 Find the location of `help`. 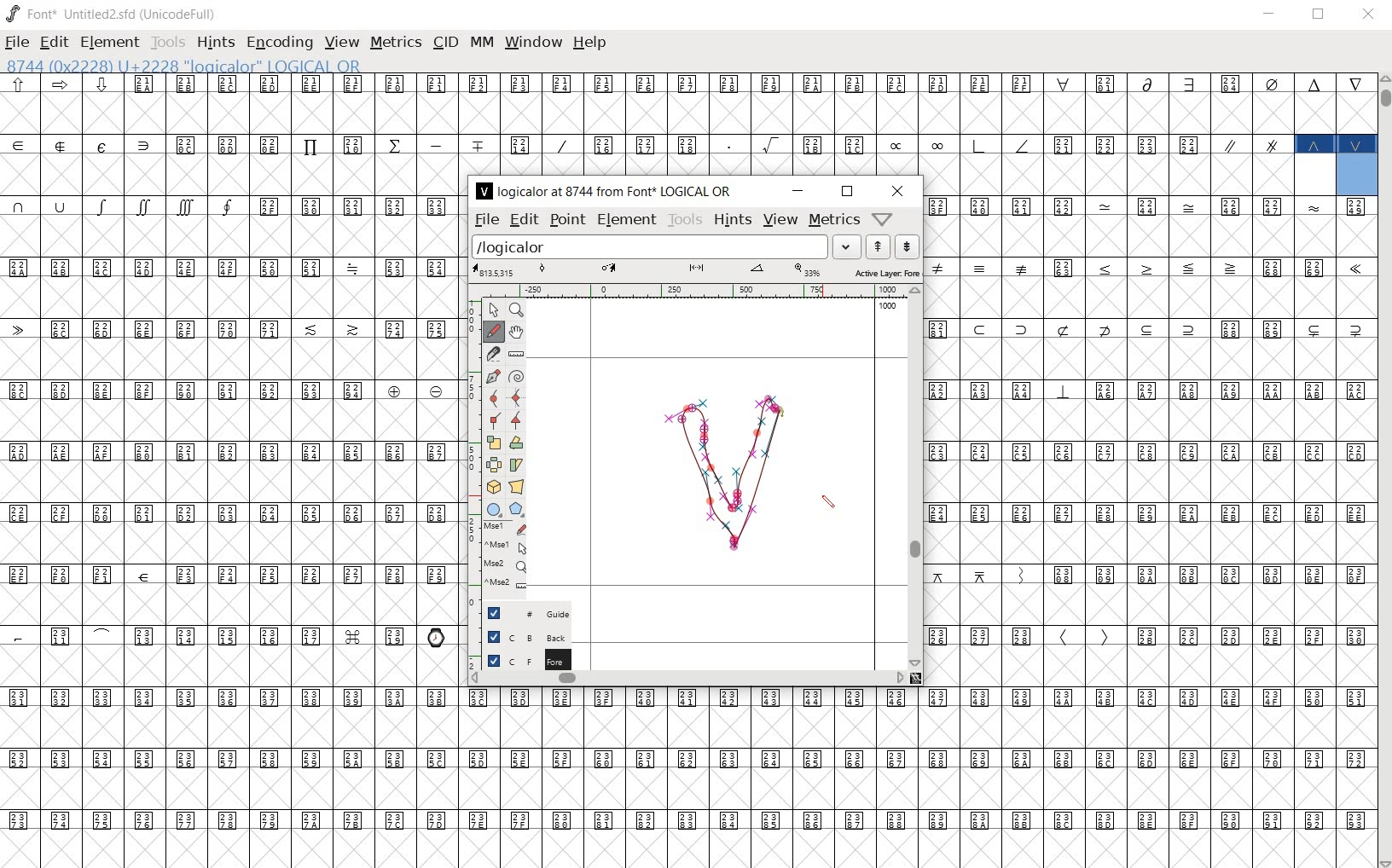

help is located at coordinates (591, 42).